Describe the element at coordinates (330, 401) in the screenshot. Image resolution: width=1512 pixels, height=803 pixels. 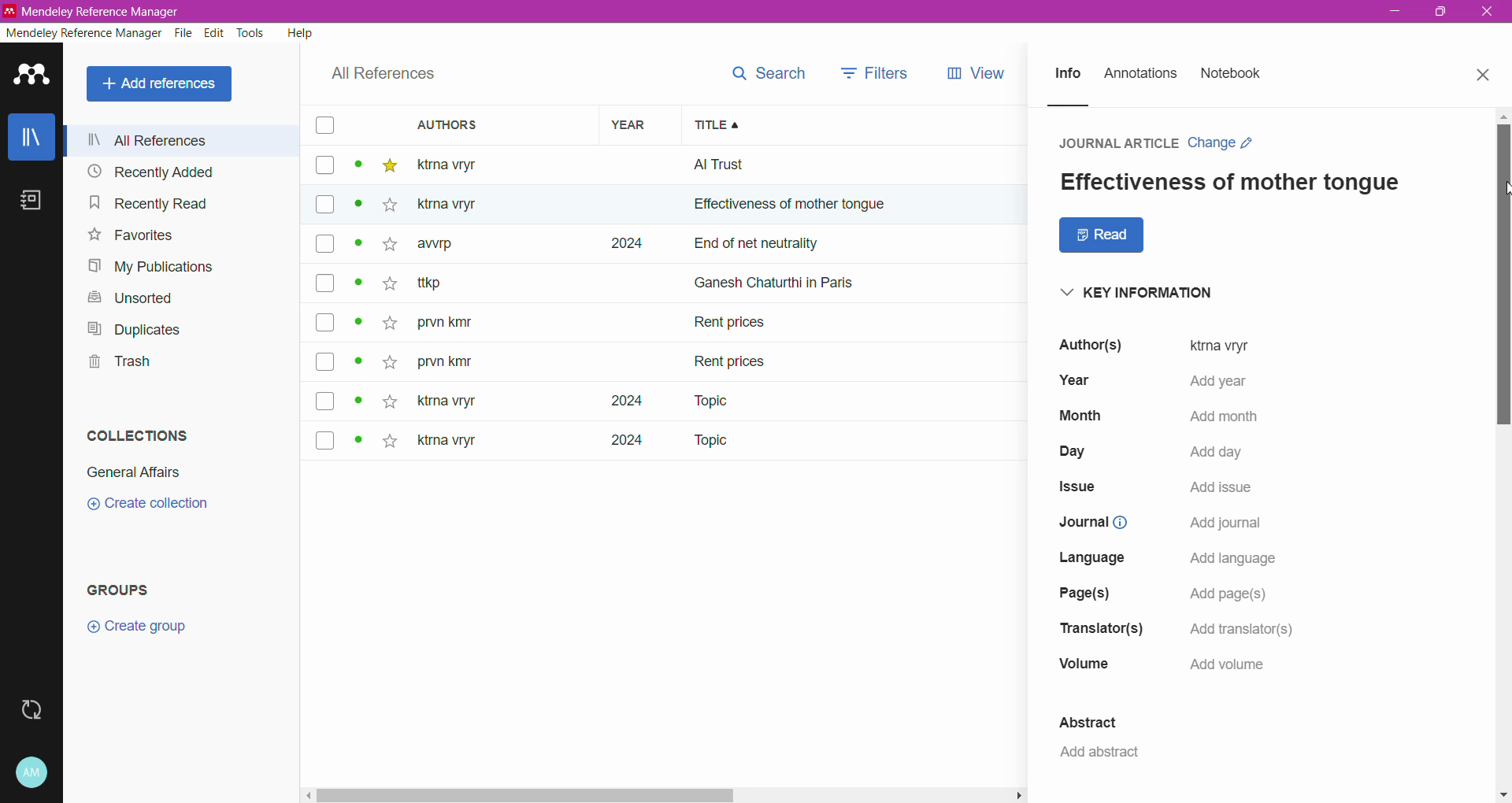
I see `box` at that location.